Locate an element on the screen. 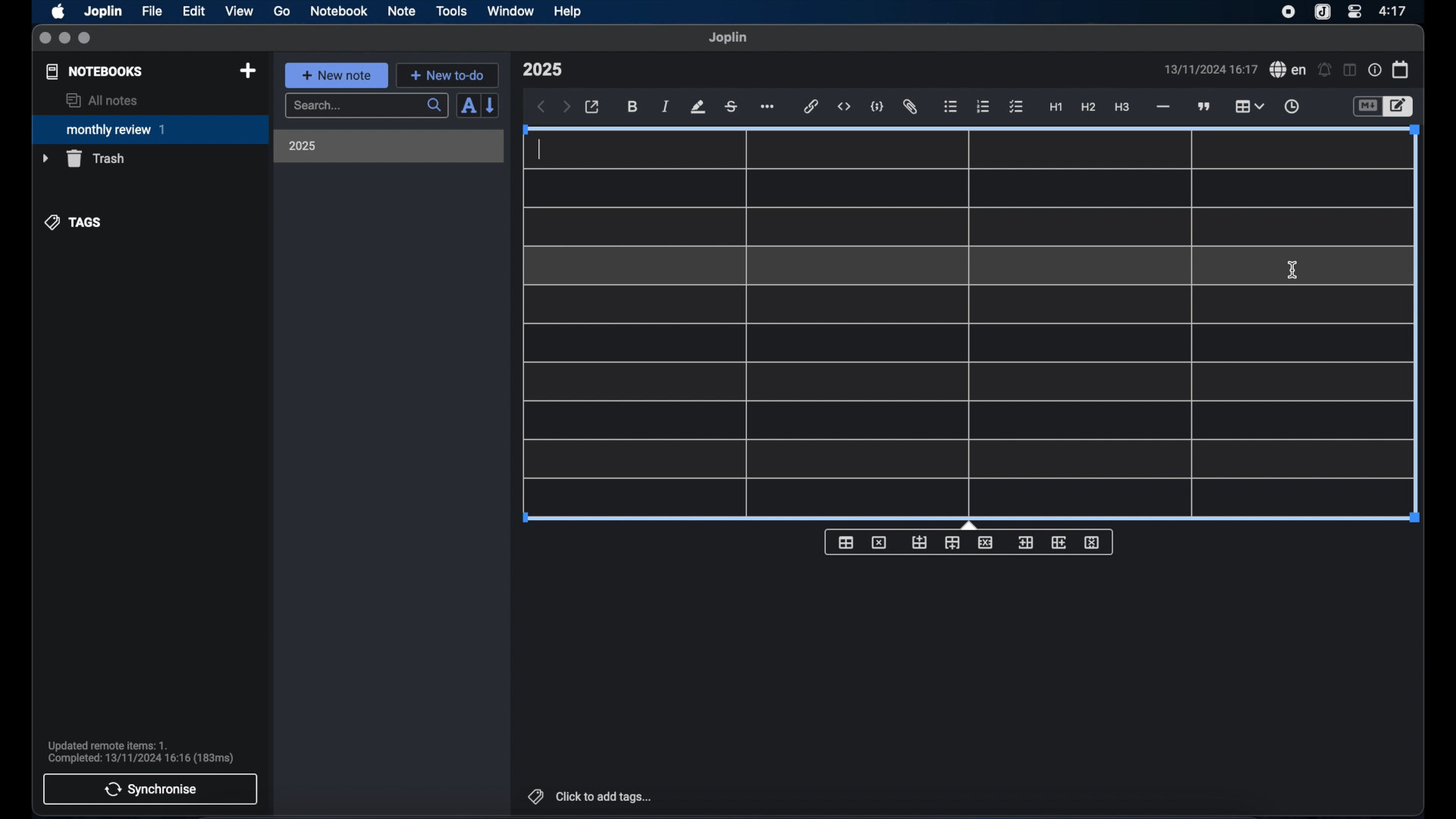 Image resolution: width=1456 pixels, height=819 pixels. delete column is located at coordinates (1093, 543).